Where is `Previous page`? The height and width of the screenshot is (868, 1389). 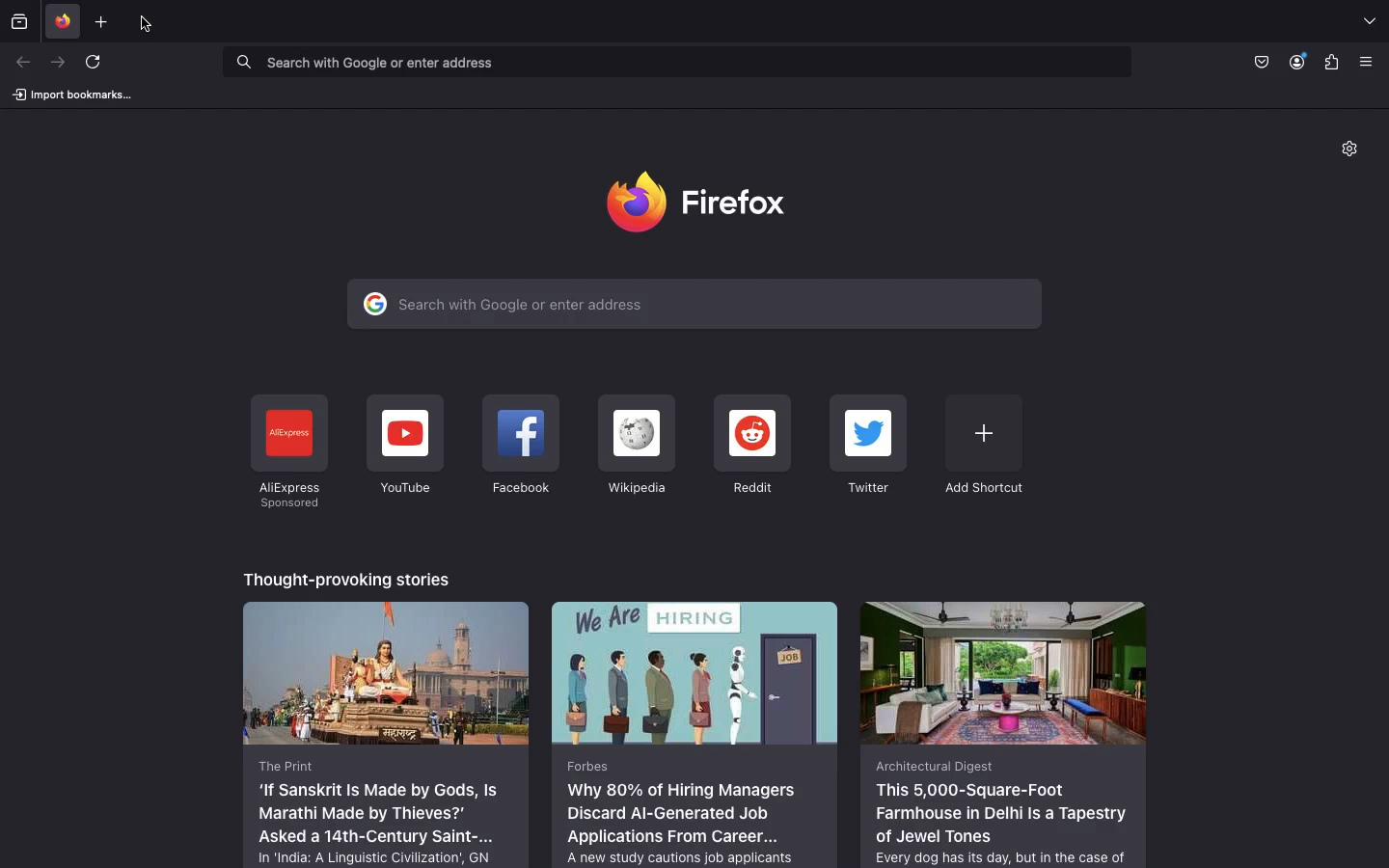
Previous page is located at coordinates (24, 63).